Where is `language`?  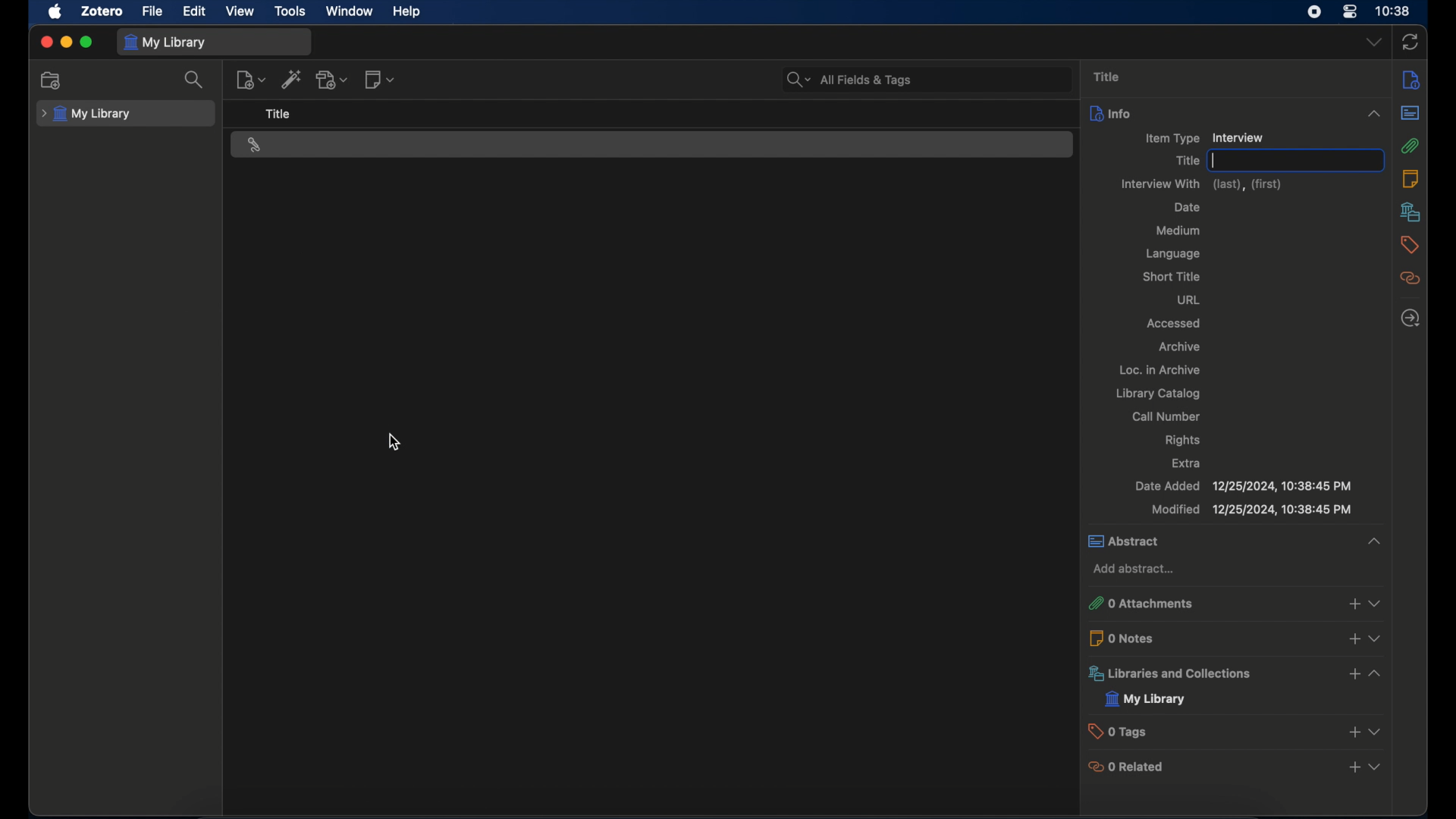
language is located at coordinates (1175, 256).